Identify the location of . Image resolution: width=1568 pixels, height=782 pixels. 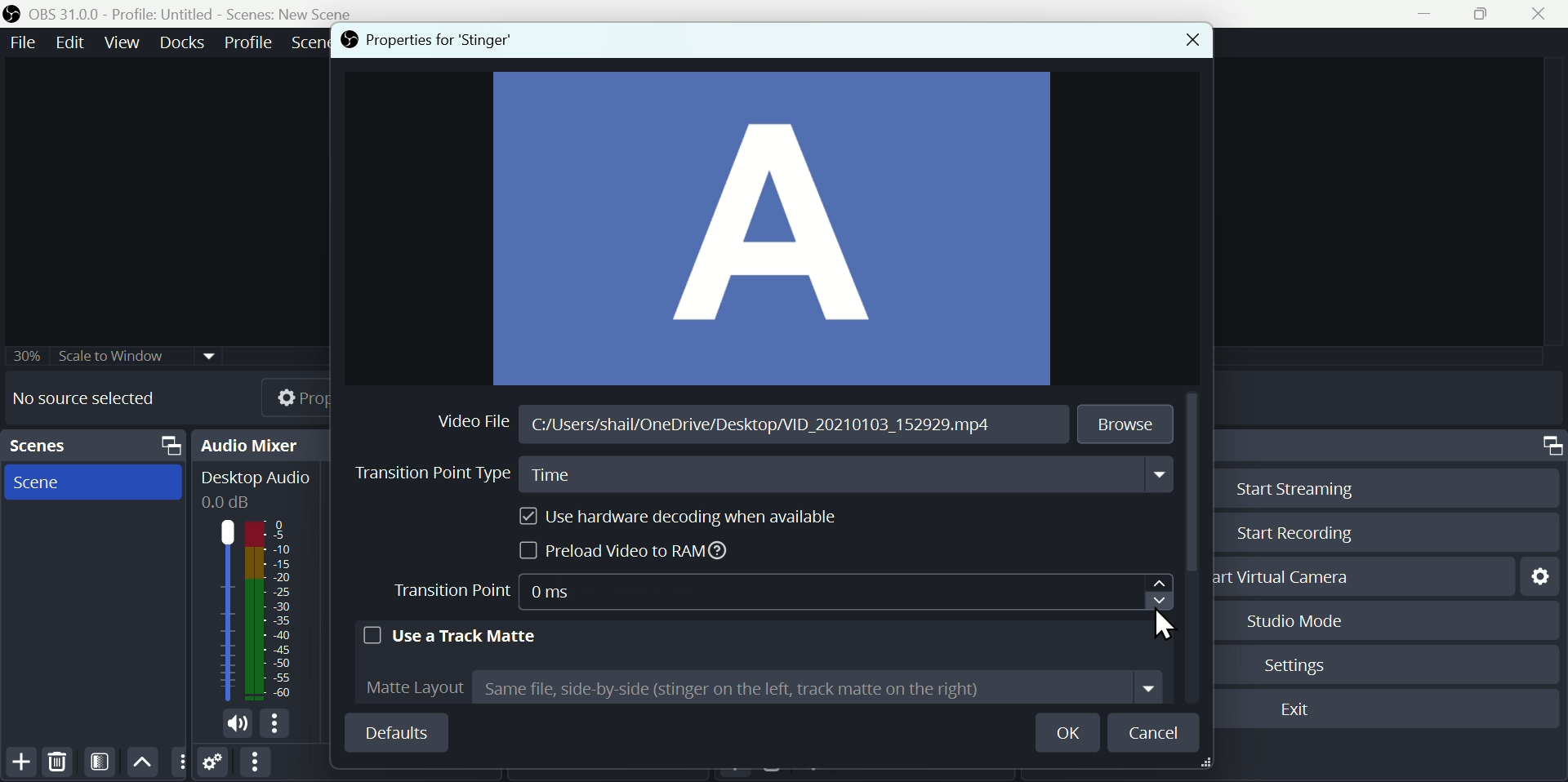
(20, 42).